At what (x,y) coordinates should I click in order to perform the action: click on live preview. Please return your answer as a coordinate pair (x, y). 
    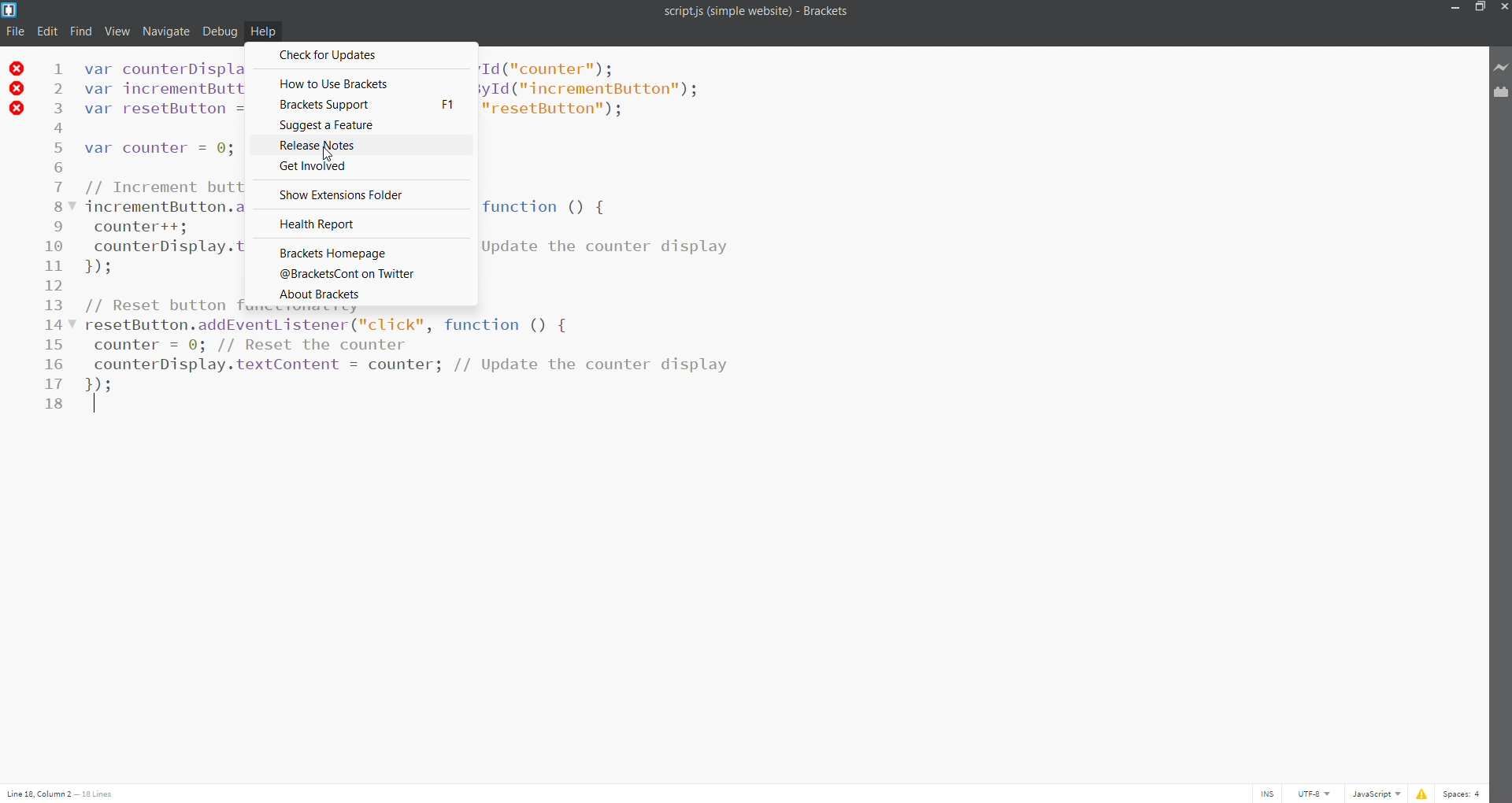
    Looking at the image, I should click on (1499, 67).